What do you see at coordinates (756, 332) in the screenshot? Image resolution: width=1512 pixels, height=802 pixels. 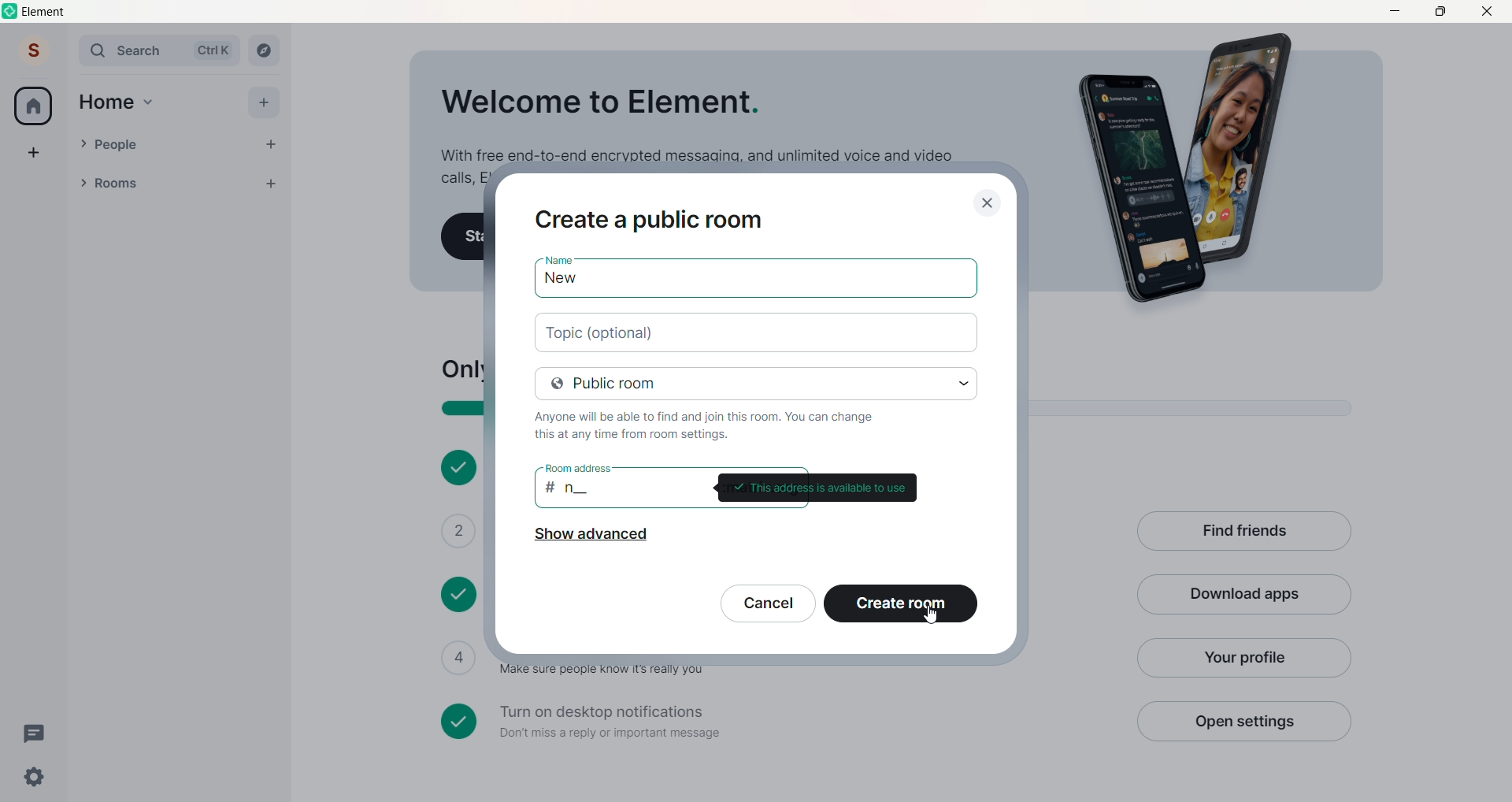 I see `add topic (optional)` at bounding box center [756, 332].